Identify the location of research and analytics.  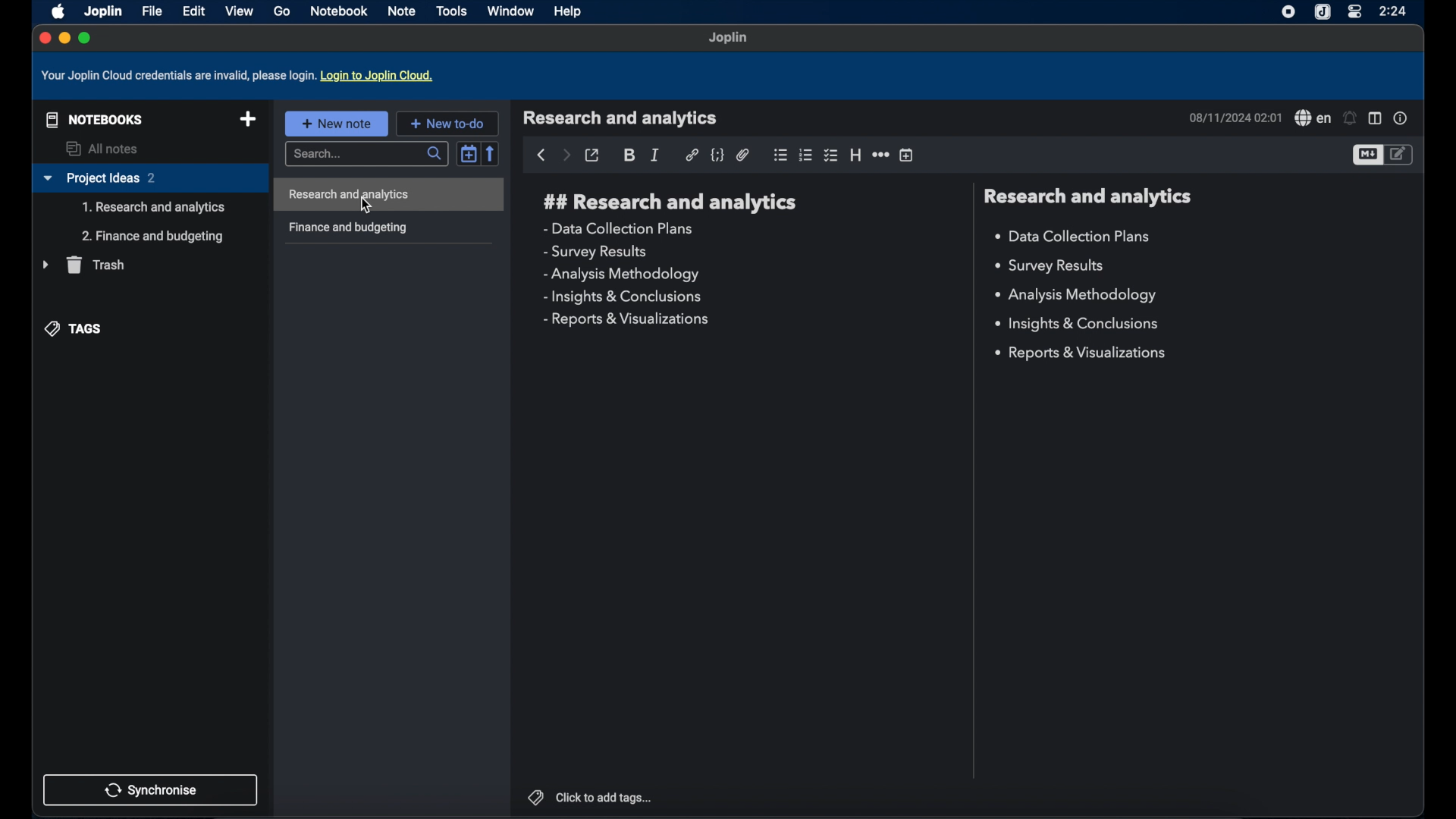
(620, 118).